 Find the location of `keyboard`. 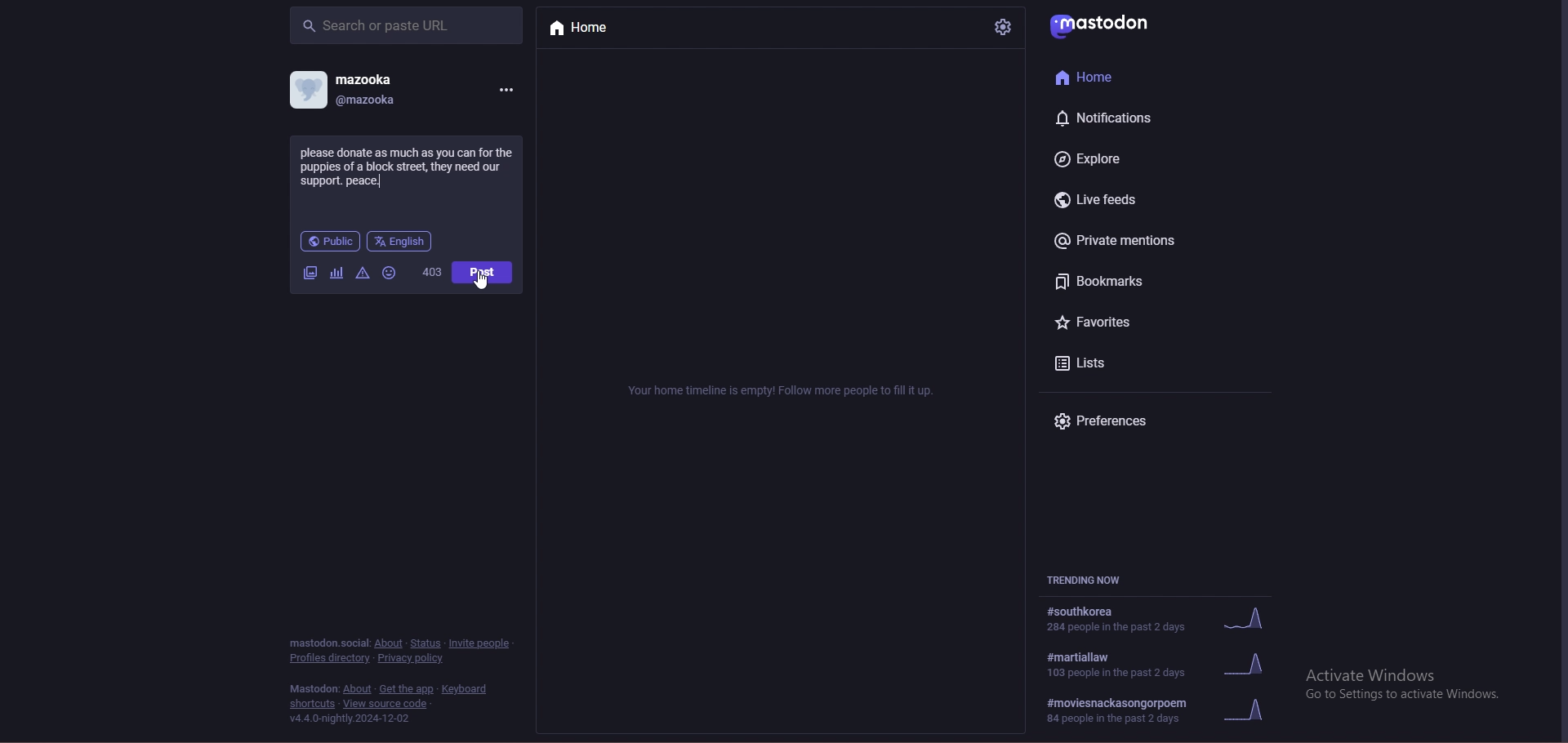

keyboard is located at coordinates (465, 689).